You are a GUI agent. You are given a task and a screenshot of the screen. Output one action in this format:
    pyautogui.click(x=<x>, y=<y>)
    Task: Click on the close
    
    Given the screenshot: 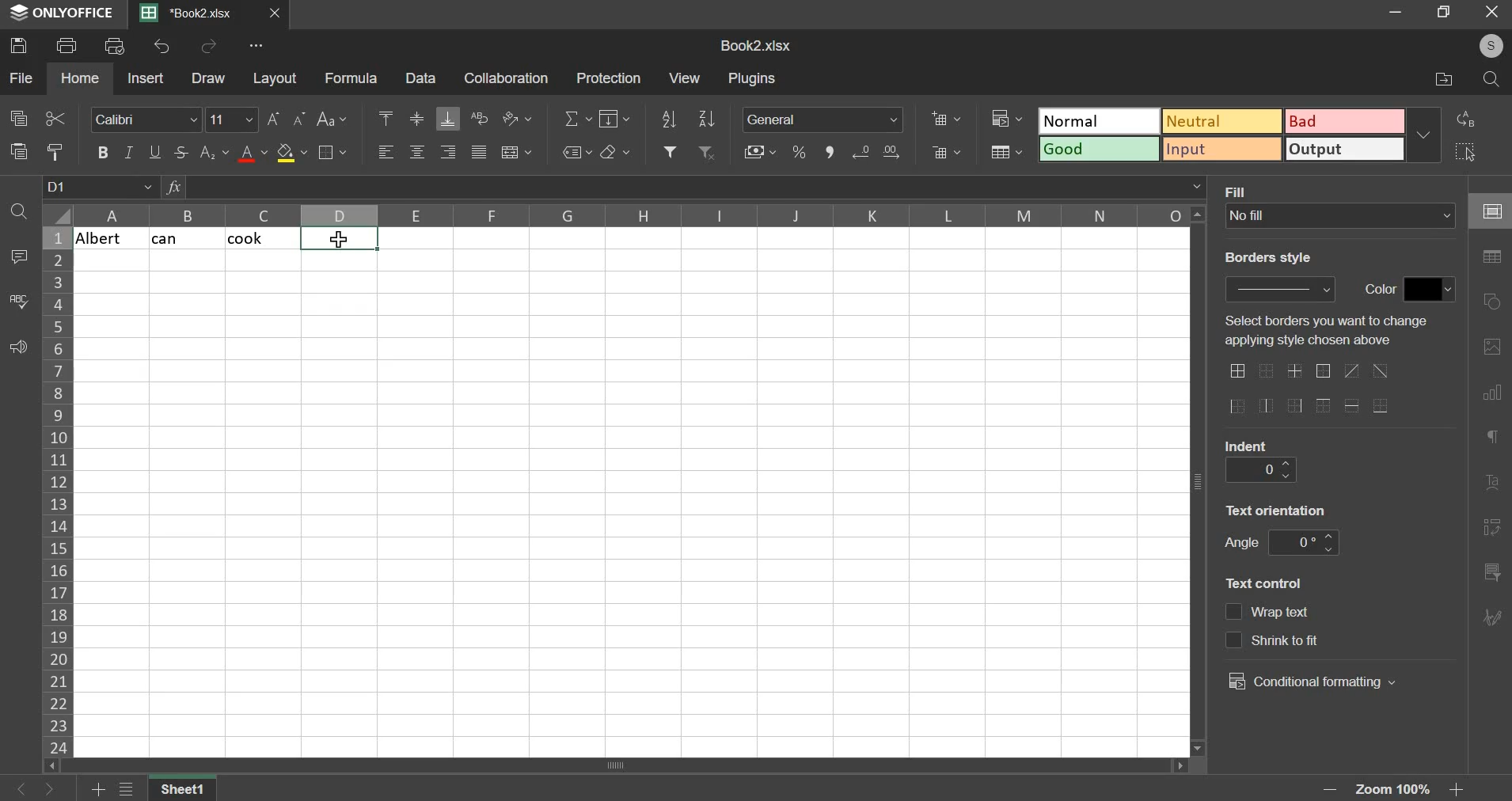 What is the action you would take?
    pyautogui.click(x=279, y=15)
    